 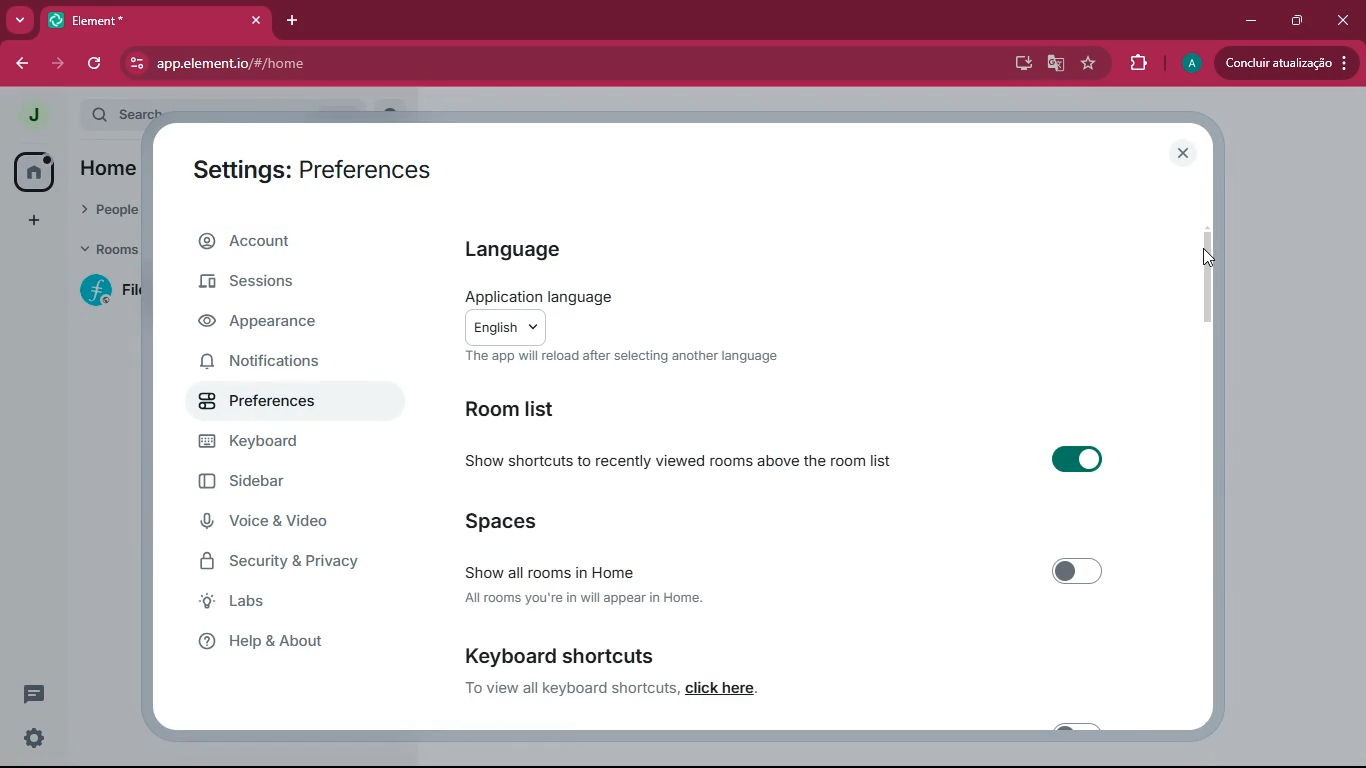 I want to click on toggle on, so click(x=1073, y=459).